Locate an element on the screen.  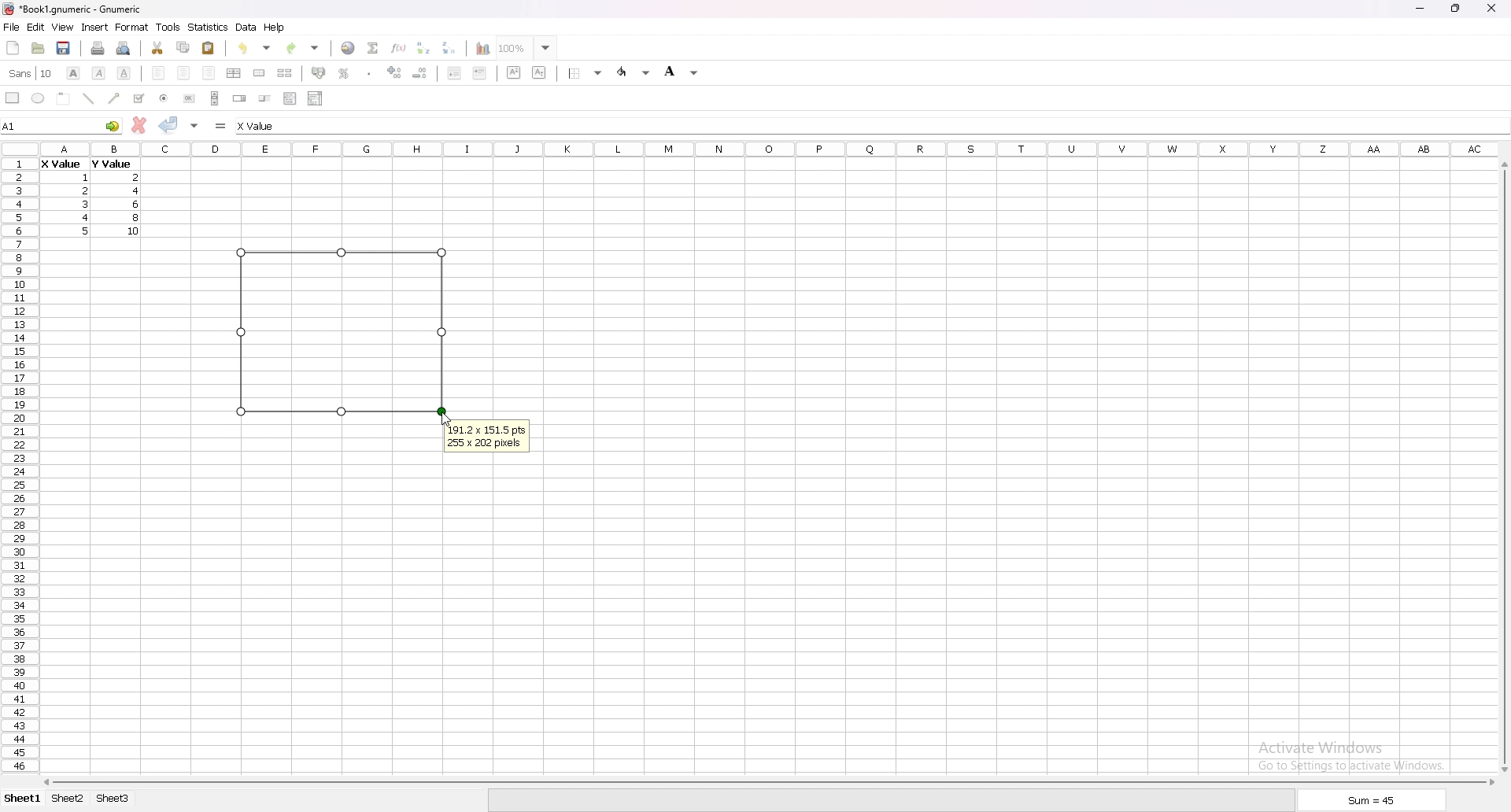
copy is located at coordinates (183, 47).